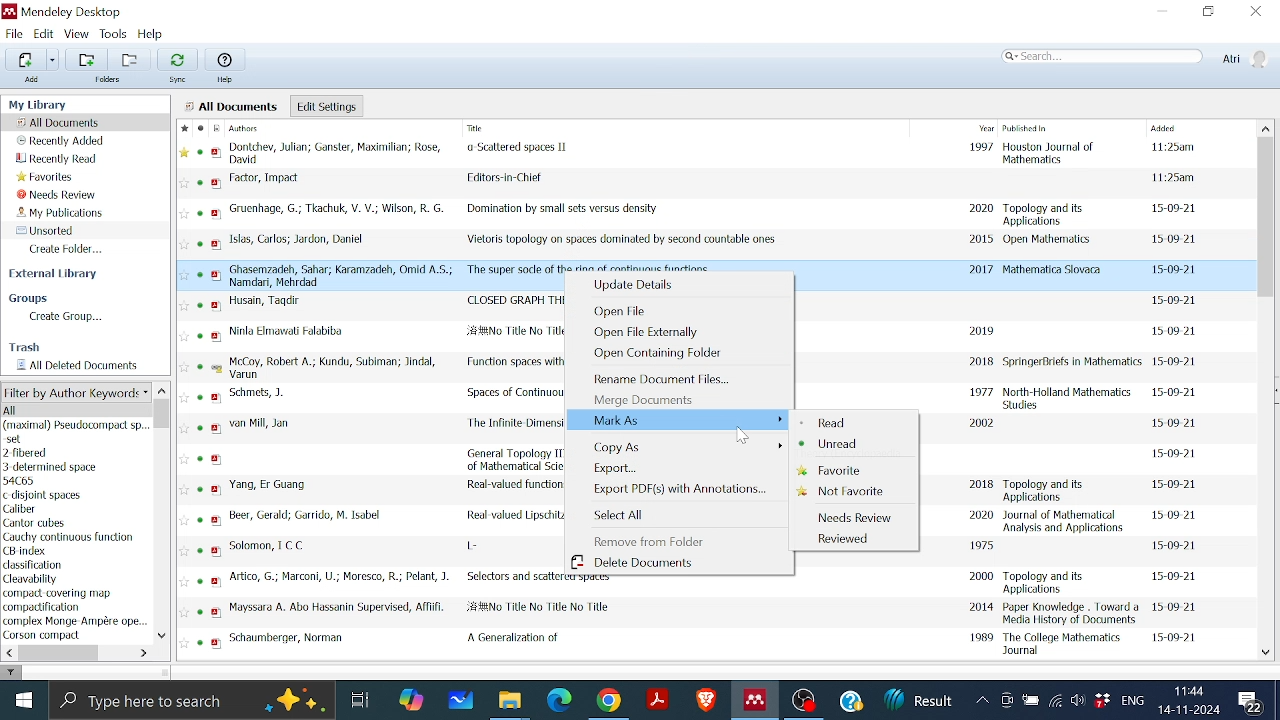  What do you see at coordinates (22, 481) in the screenshot?
I see `54C65` at bounding box center [22, 481].